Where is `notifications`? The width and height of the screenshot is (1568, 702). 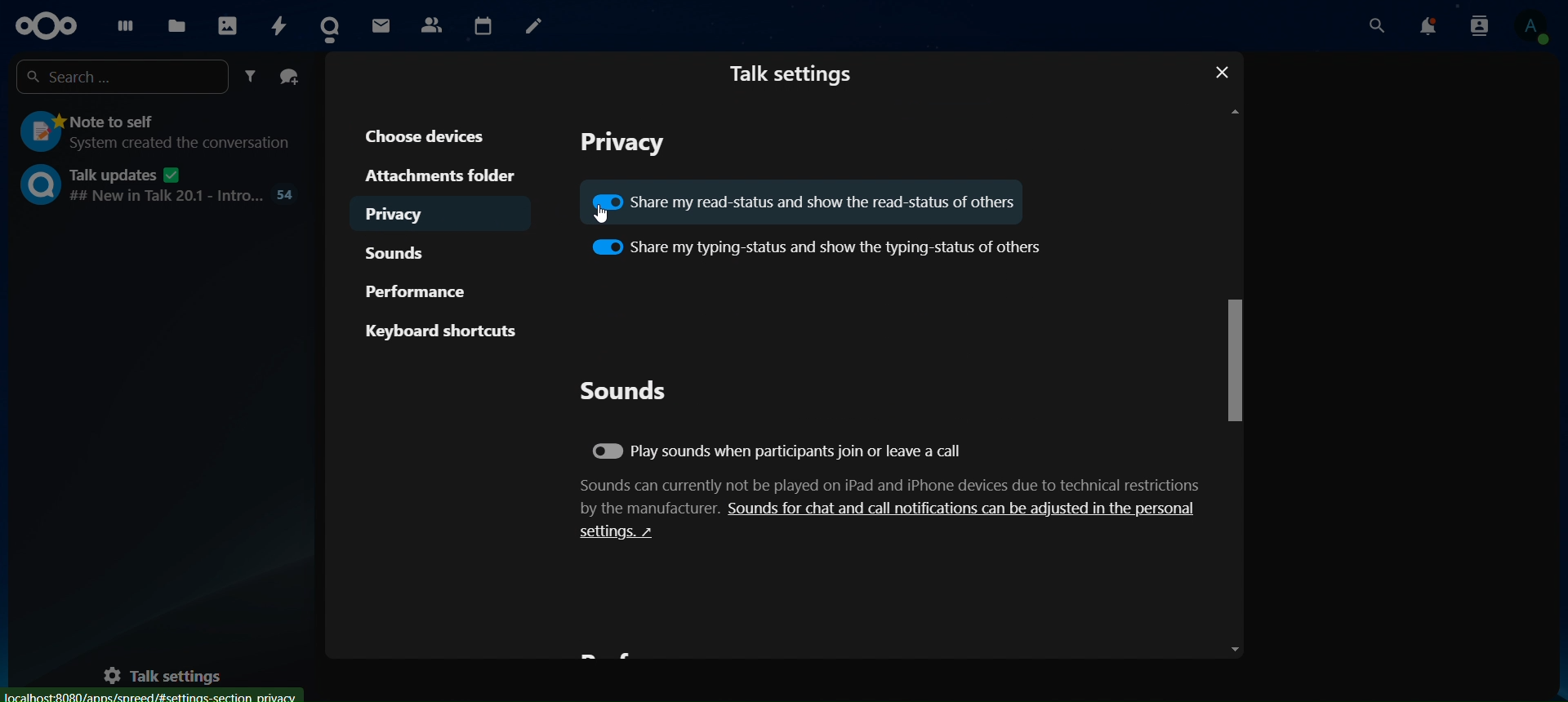
notifications is located at coordinates (1429, 26).